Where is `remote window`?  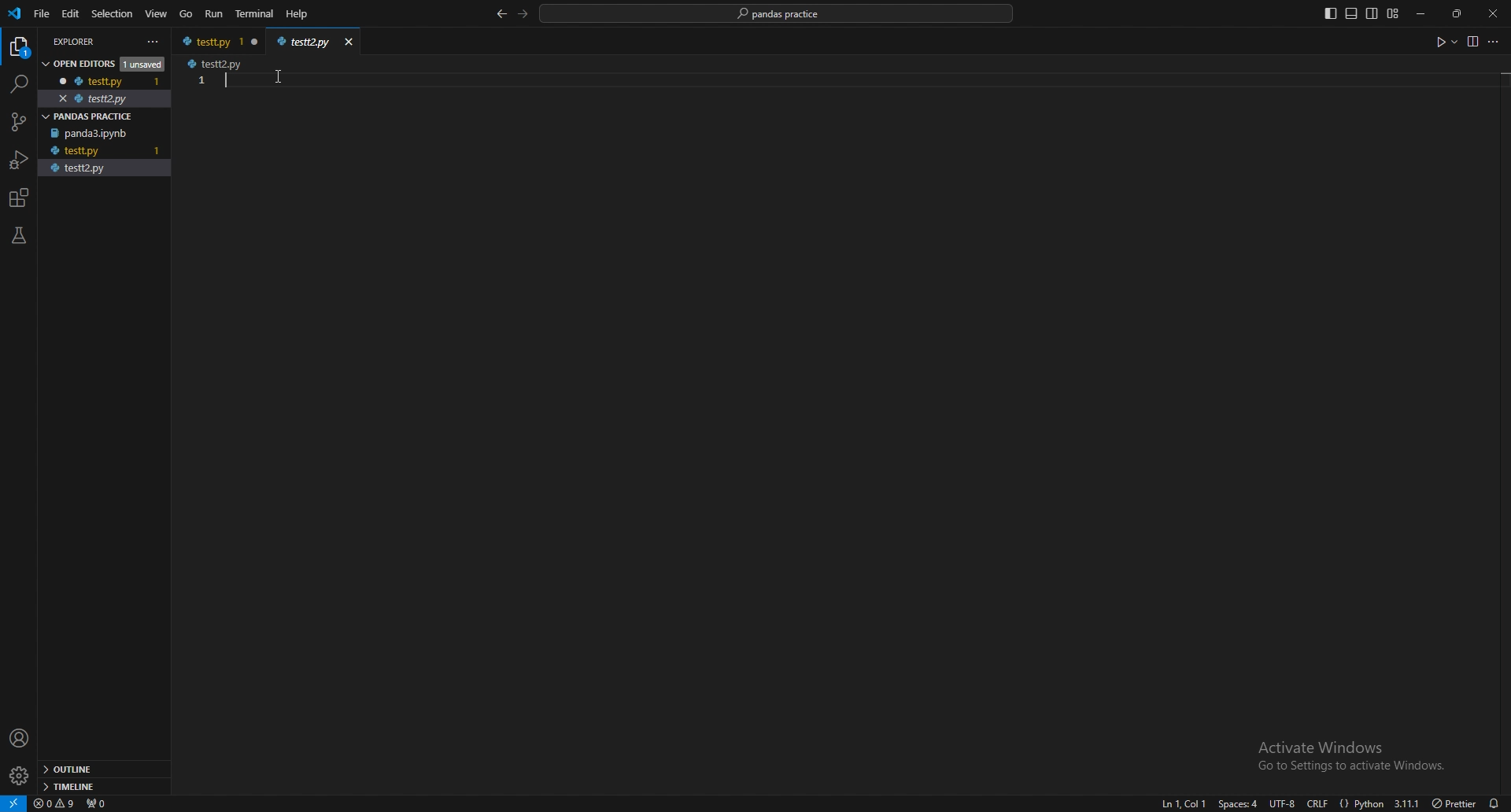 remote window is located at coordinates (13, 803).